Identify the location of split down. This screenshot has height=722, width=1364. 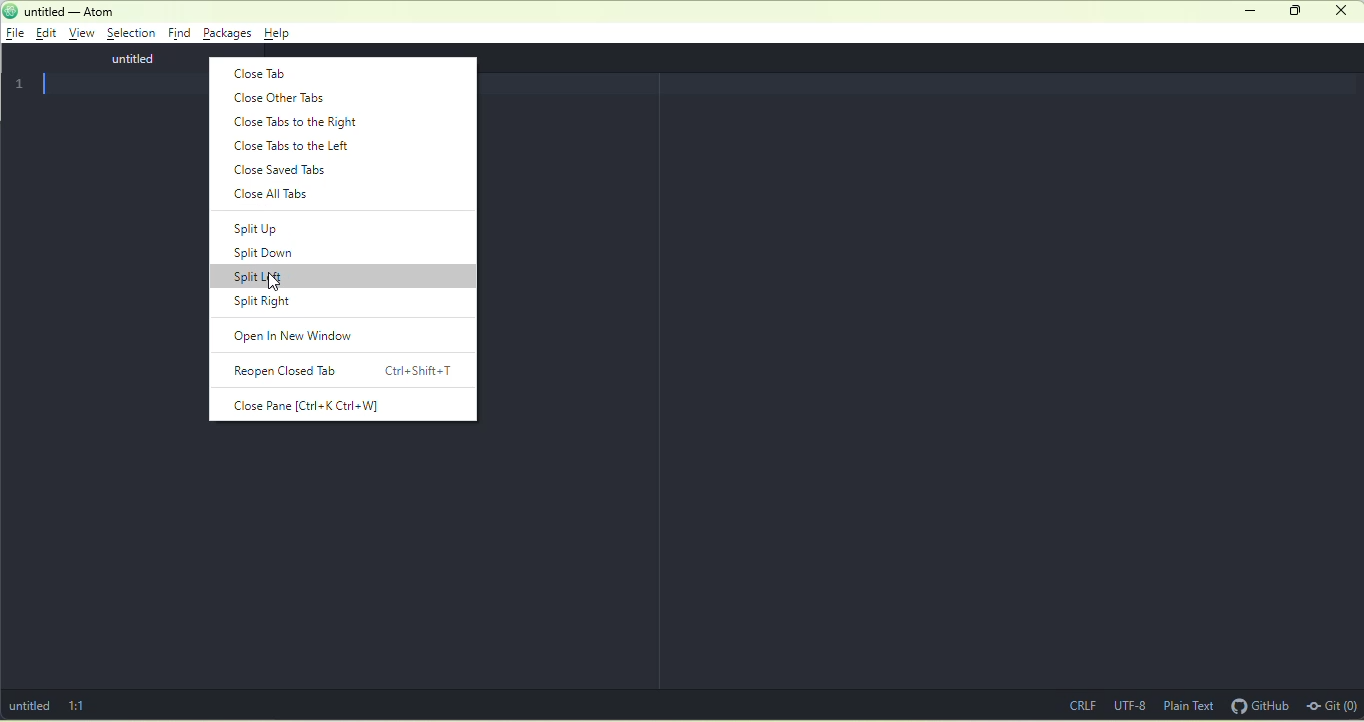
(273, 255).